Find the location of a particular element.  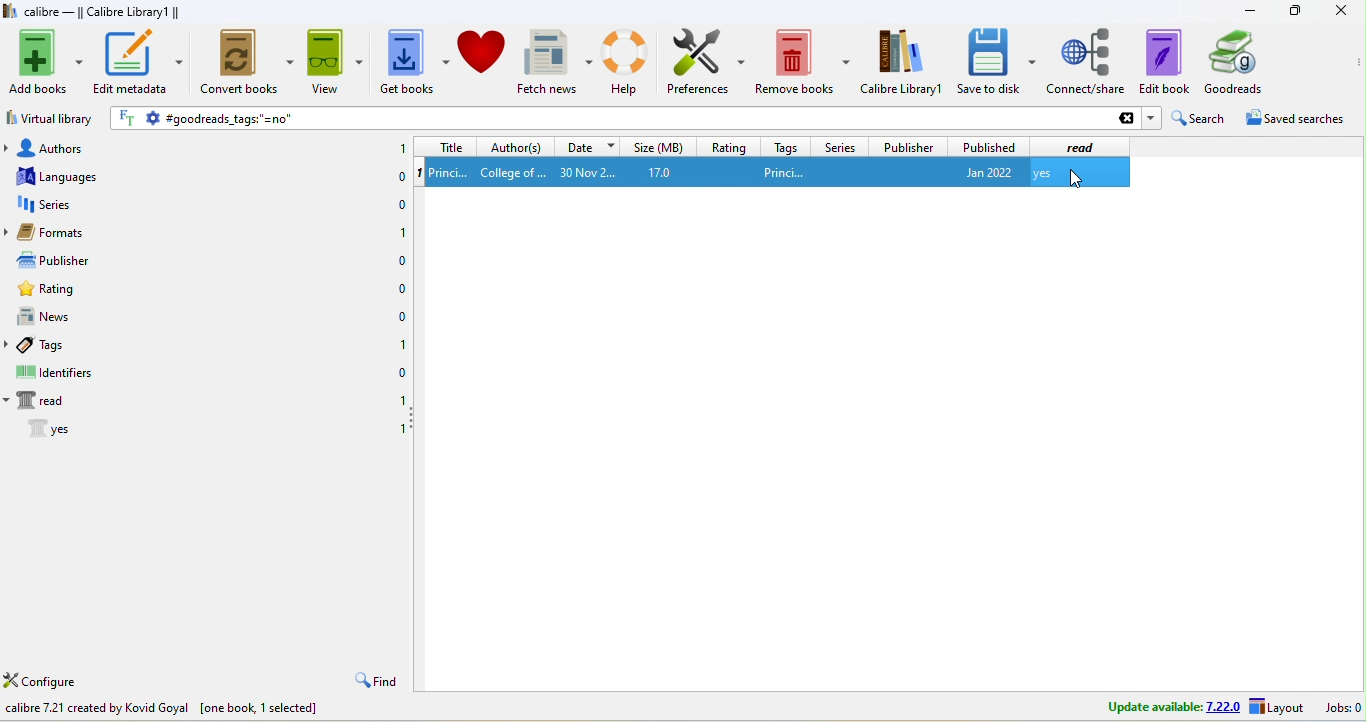

yes is located at coordinates (39, 428).